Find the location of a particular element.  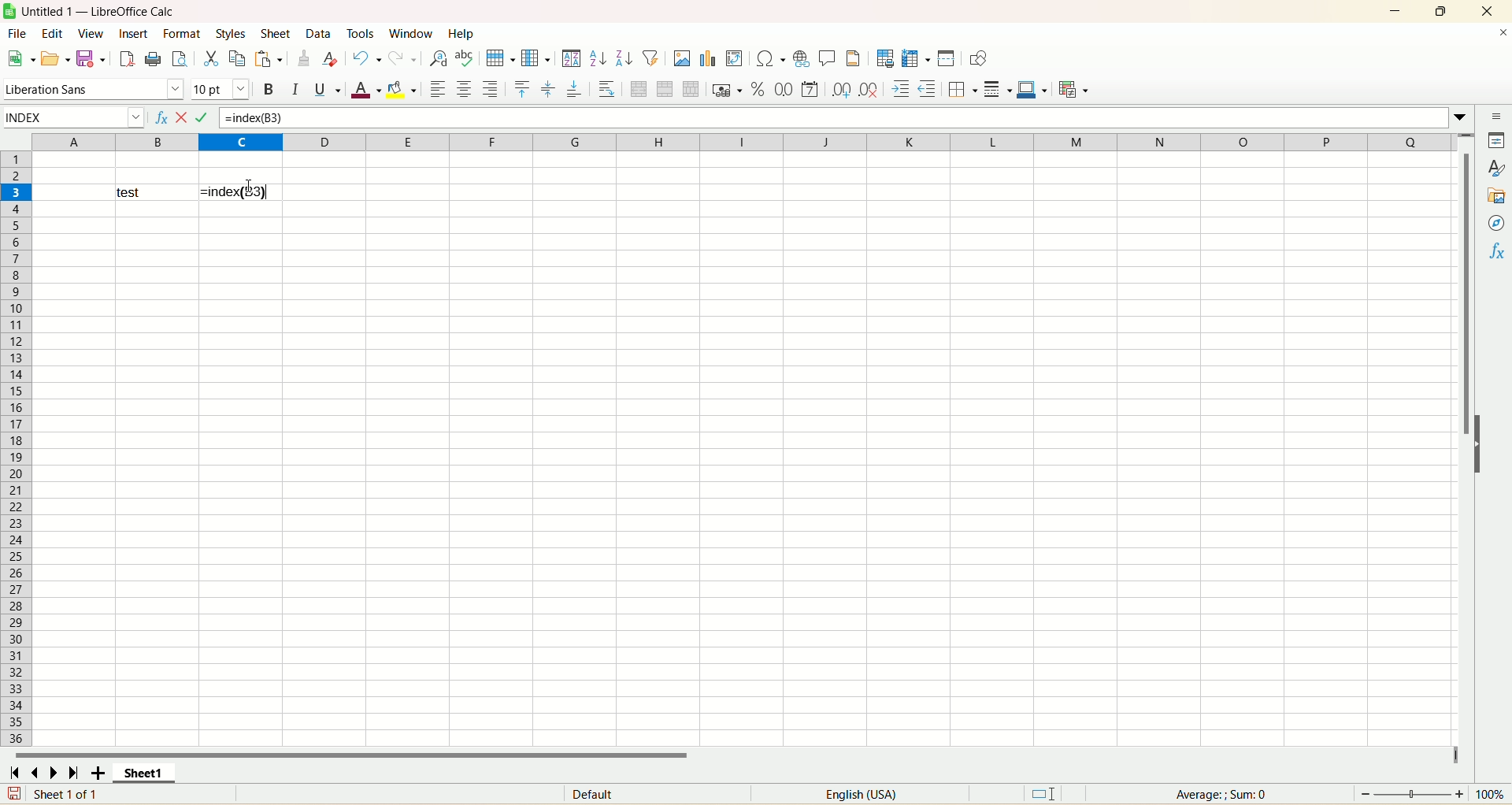

column divisions  is located at coordinates (871, 142).